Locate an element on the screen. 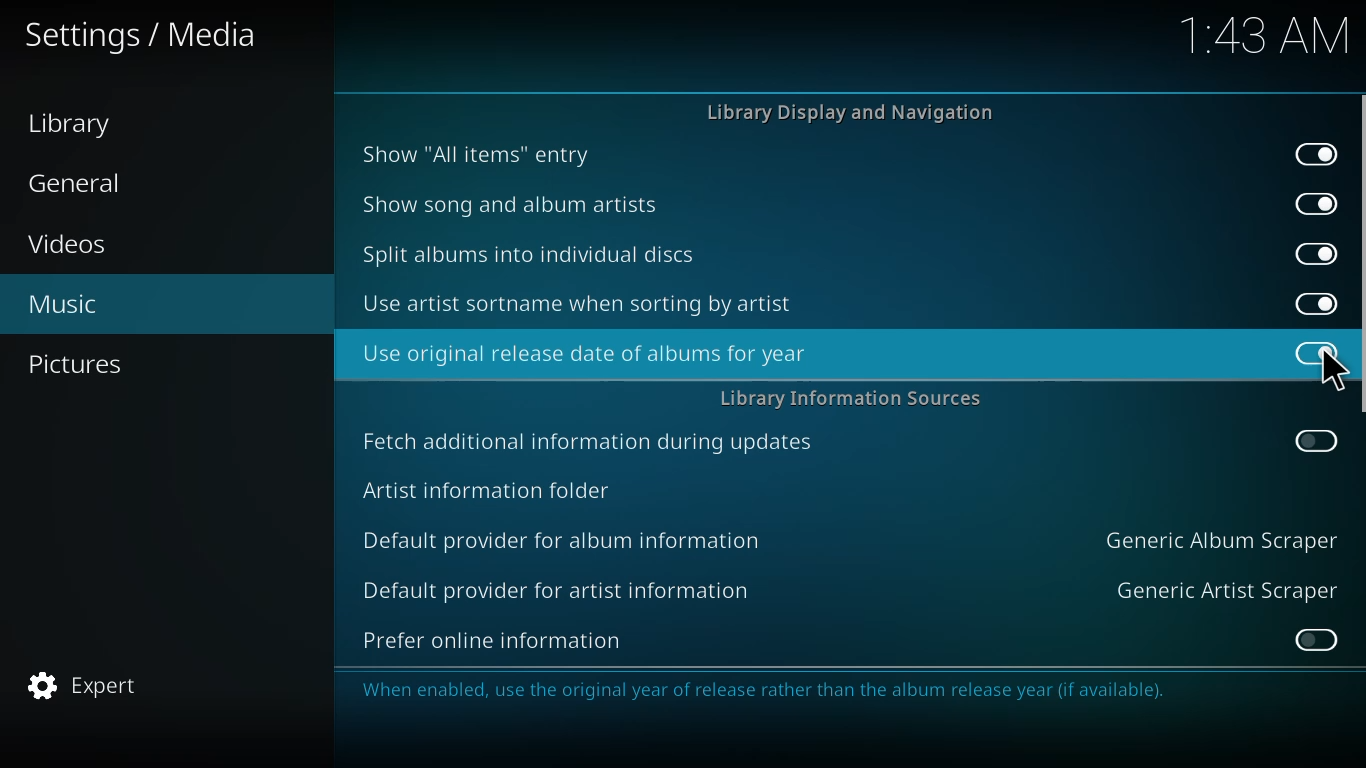  library info is located at coordinates (851, 398).